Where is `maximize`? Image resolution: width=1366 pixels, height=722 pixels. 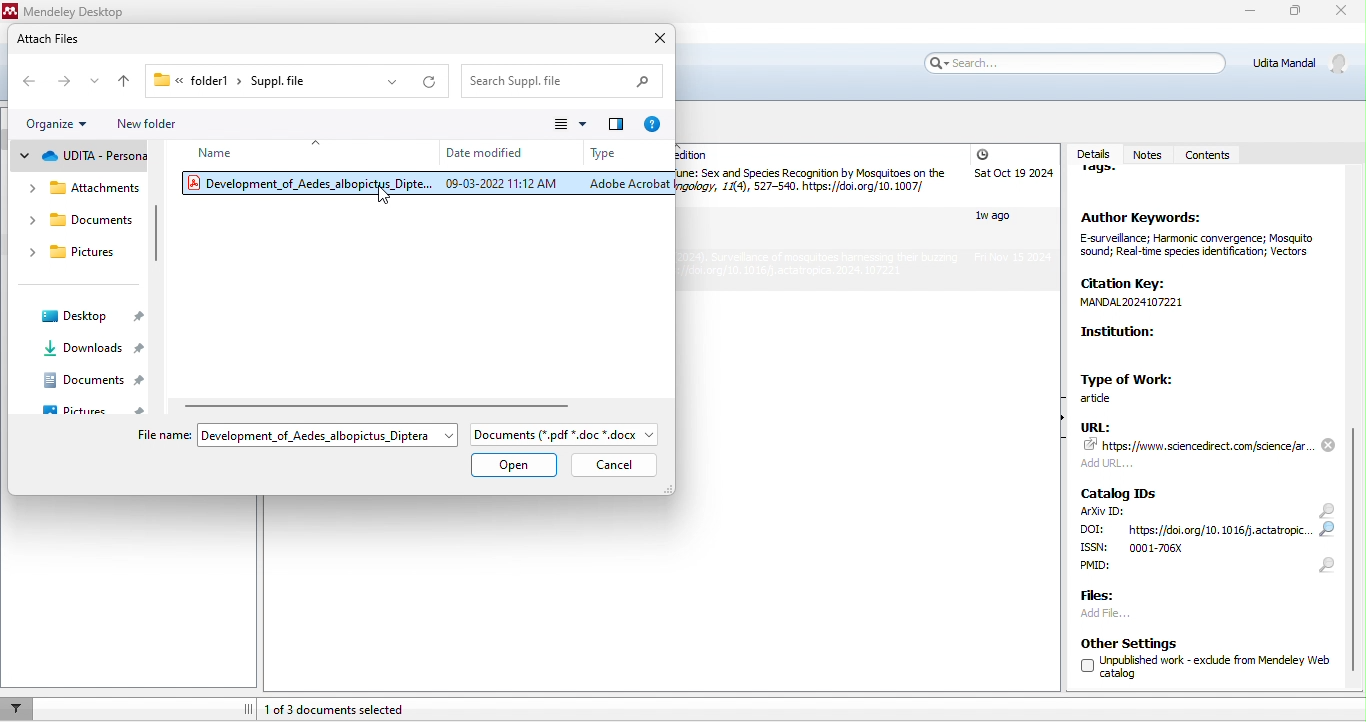
maximize is located at coordinates (1291, 14).